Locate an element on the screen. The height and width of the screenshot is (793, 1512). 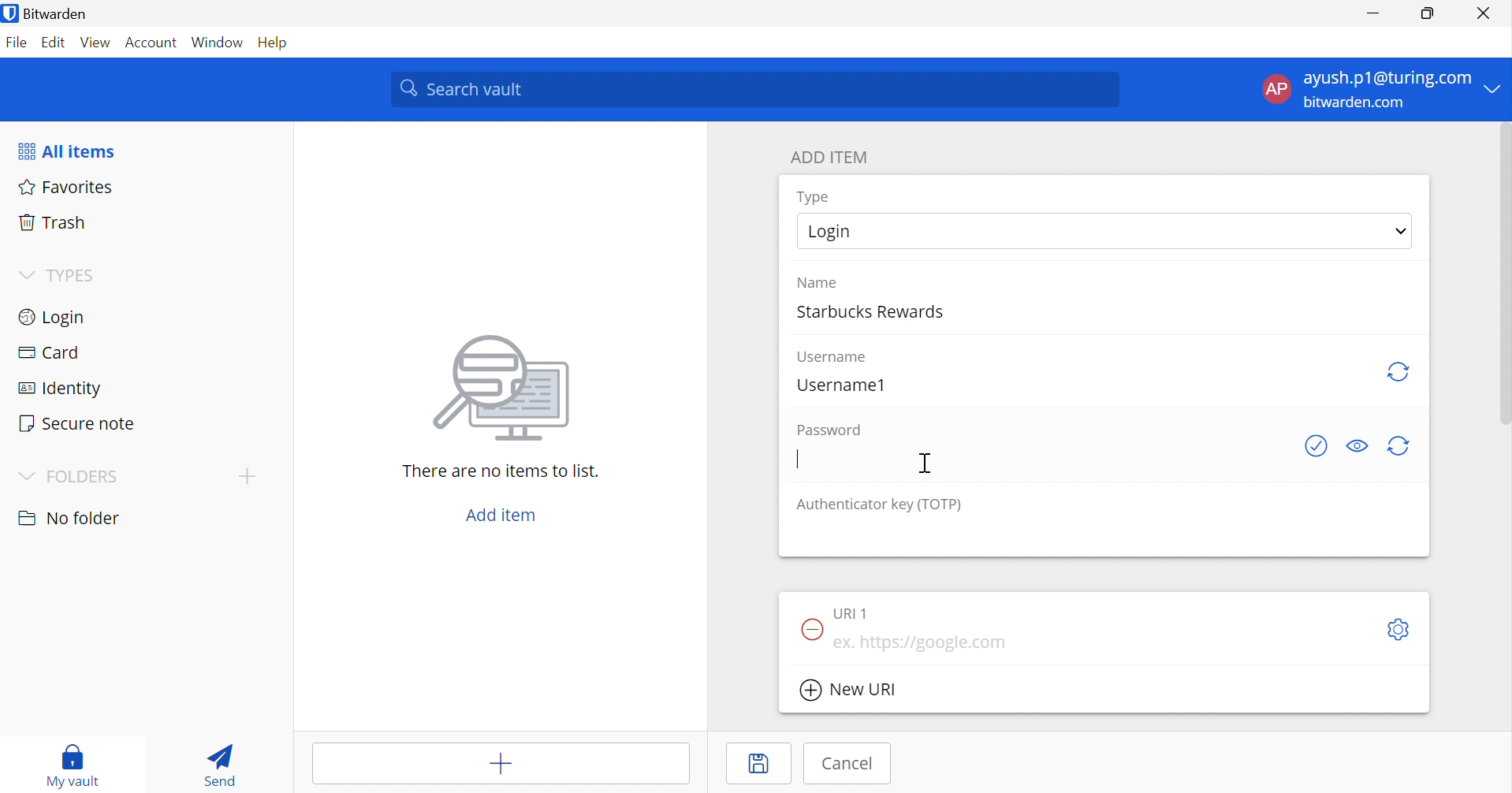
Regenerate username is located at coordinates (1397, 372).